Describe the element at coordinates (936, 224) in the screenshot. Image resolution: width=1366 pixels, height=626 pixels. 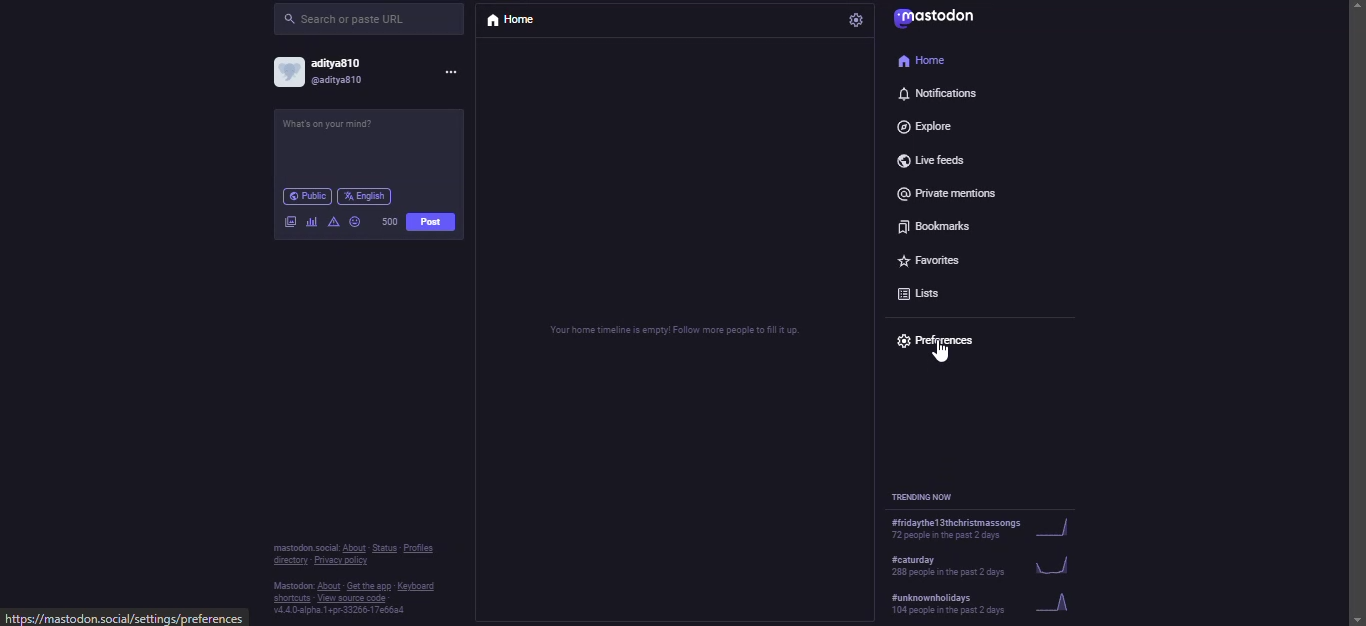
I see `bookmarks` at that location.